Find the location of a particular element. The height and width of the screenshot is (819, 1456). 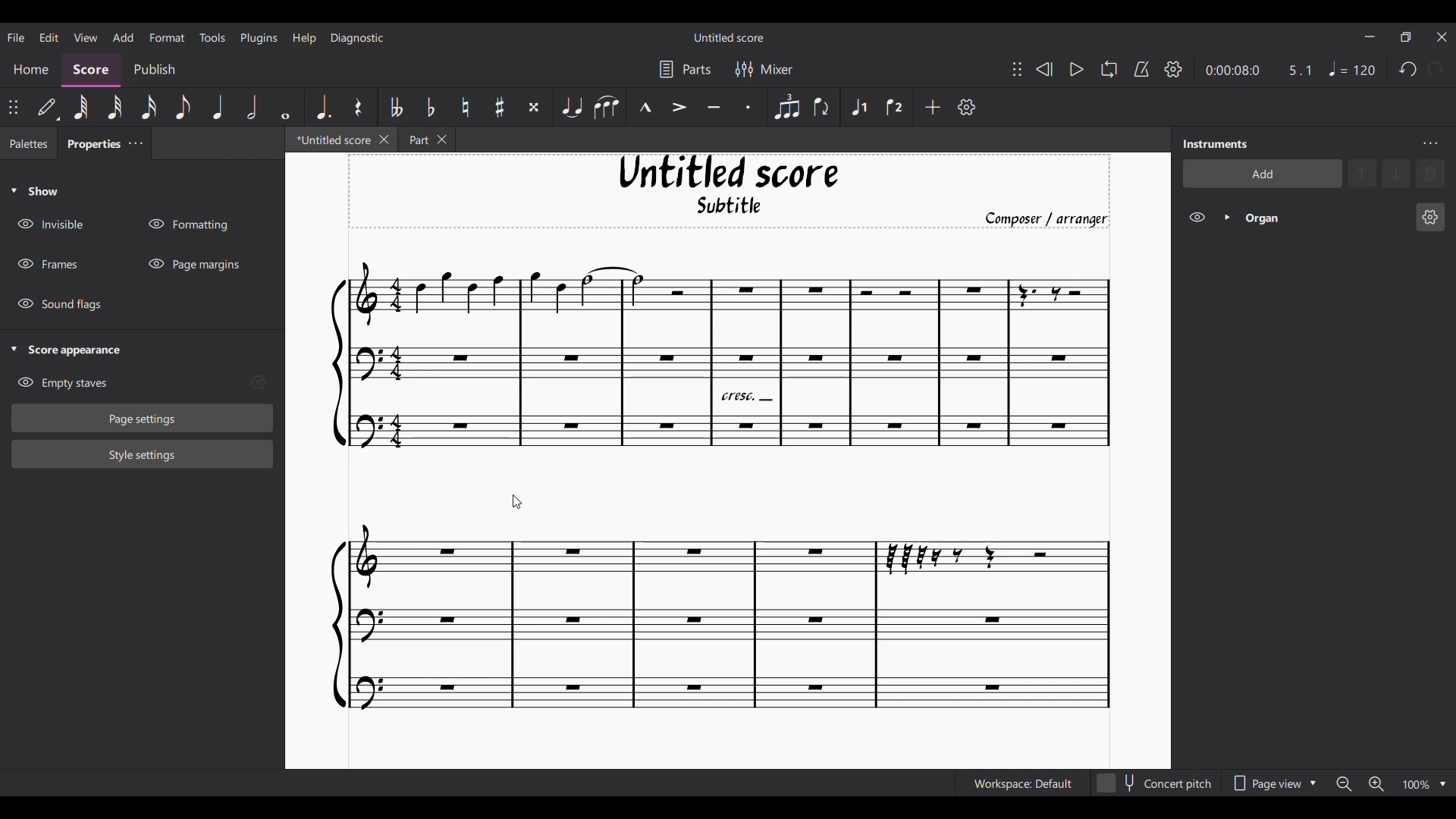

Default is located at coordinates (48, 108).